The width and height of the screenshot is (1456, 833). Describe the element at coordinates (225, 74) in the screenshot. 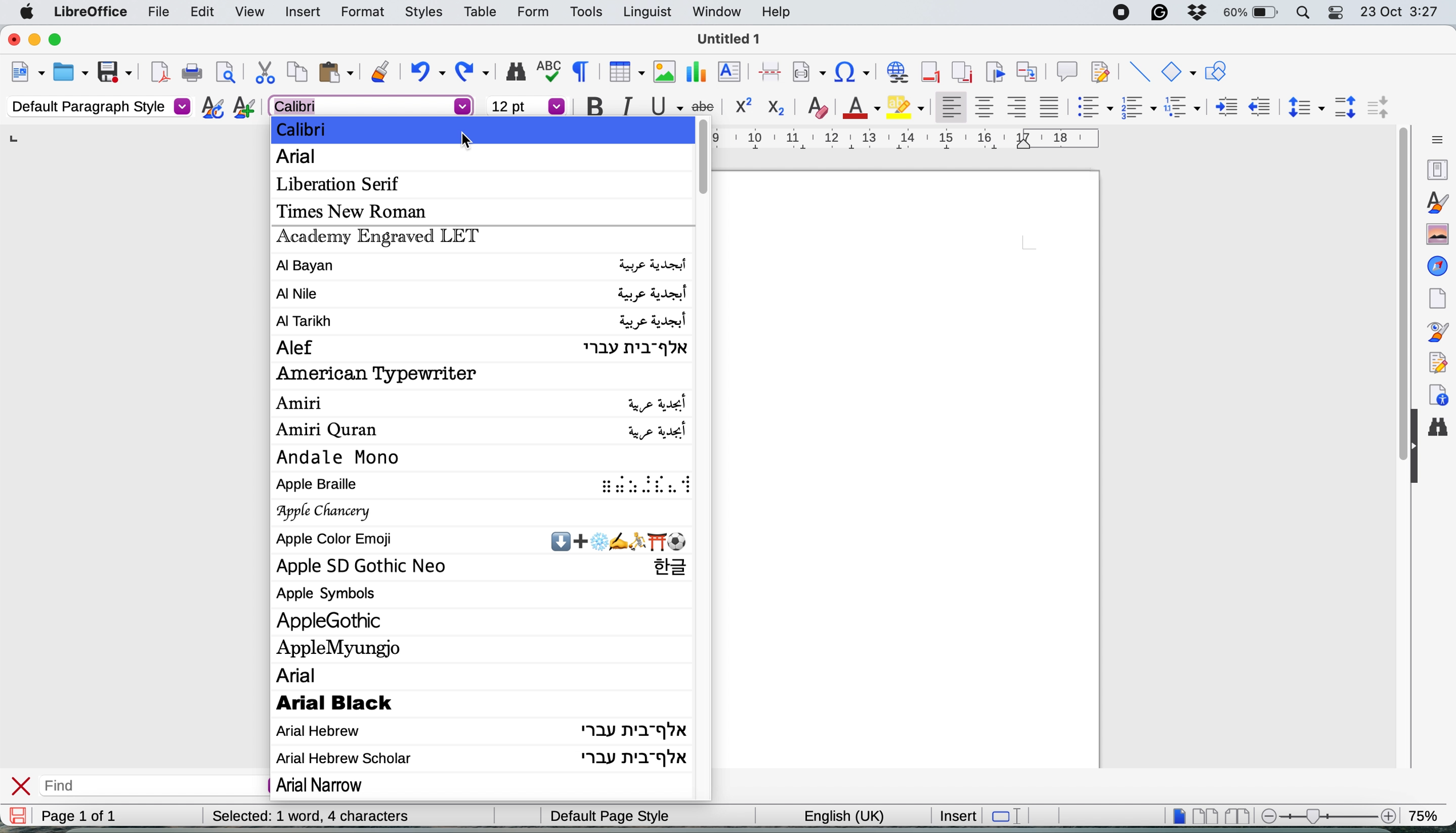

I see `print preview` at that location.